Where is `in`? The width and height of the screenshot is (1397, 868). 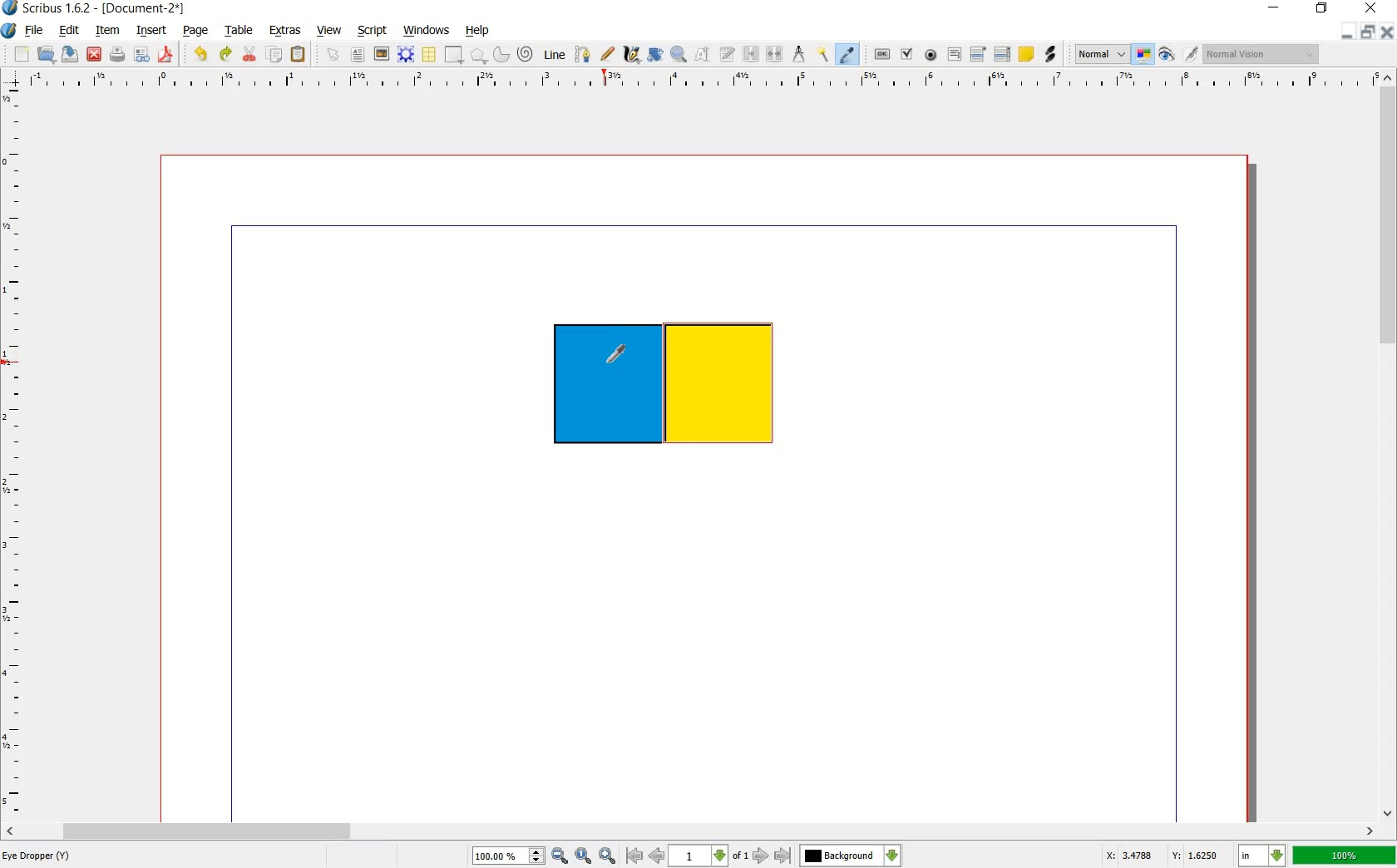
in is located at coordinates (1260, 855).